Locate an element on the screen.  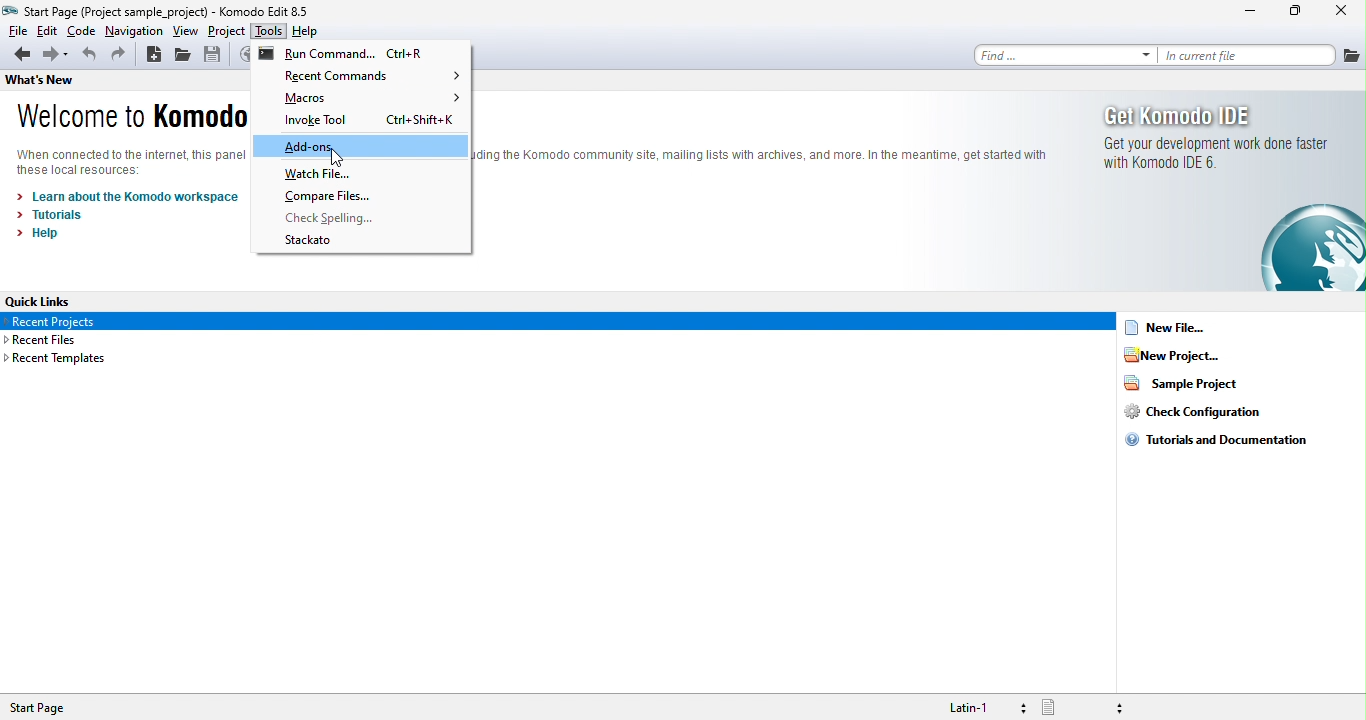
watch file is located at coordinates (319, 174).